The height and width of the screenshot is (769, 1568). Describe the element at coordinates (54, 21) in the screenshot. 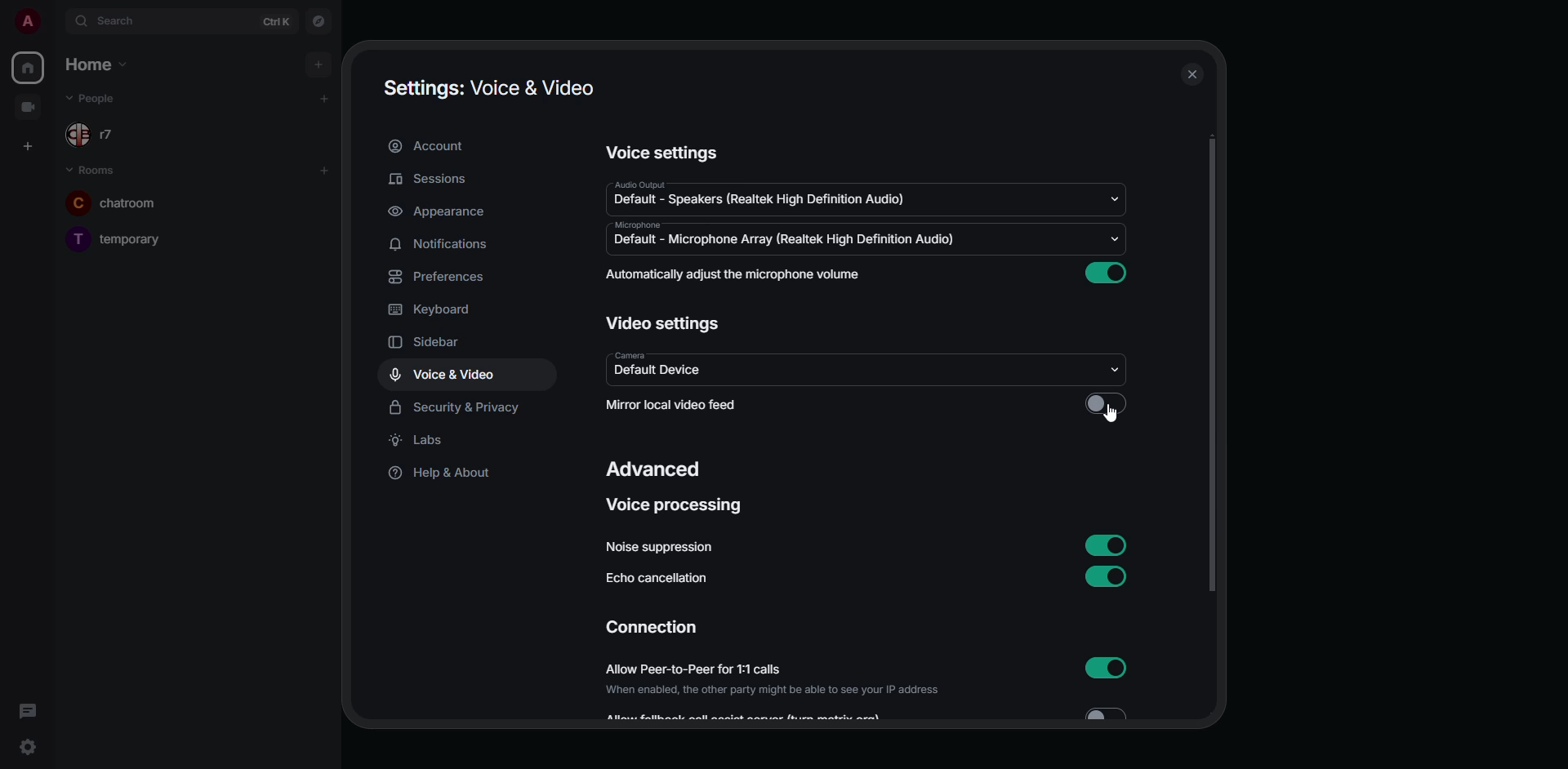

I see `expand` at that location.